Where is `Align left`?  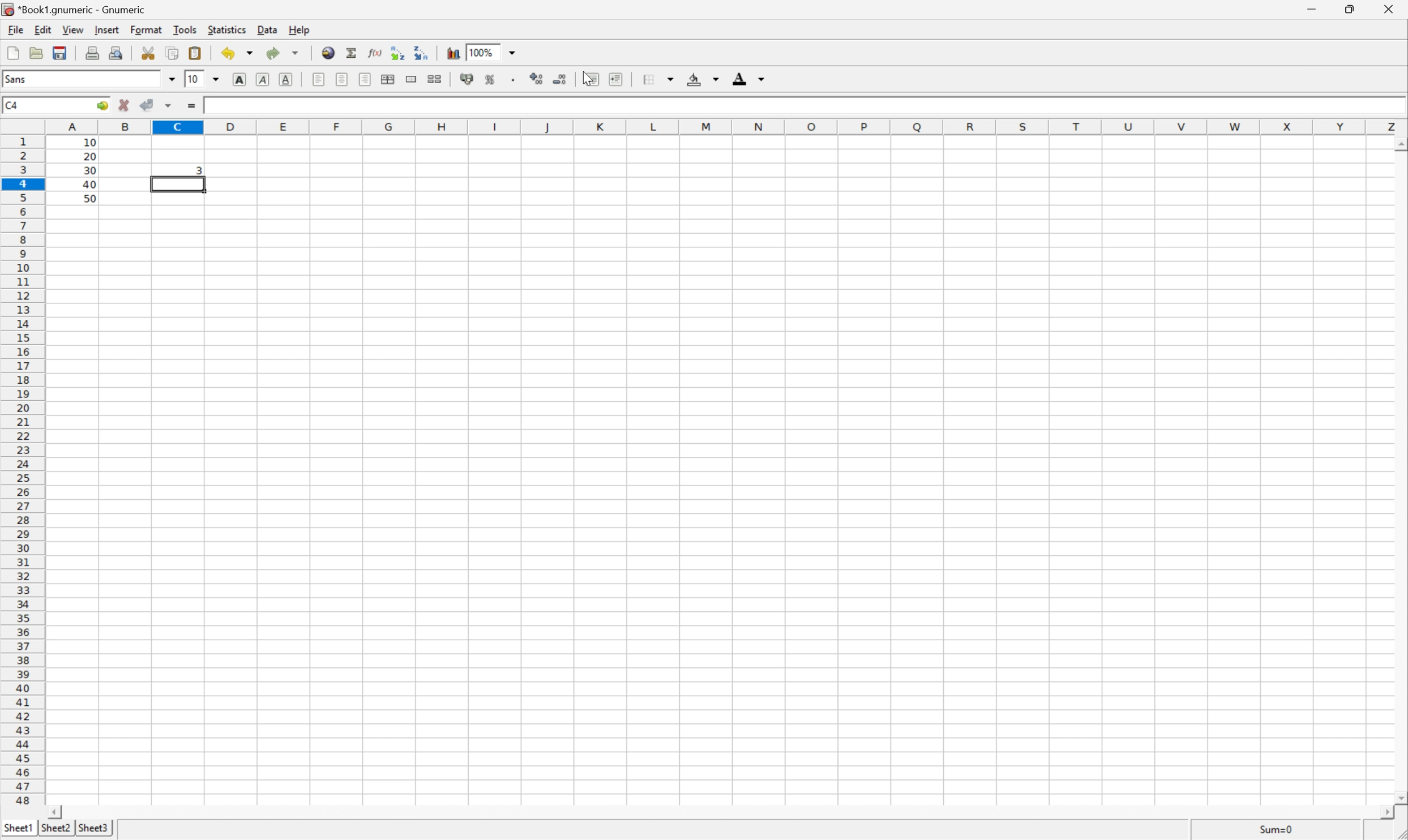
Align left is located at coordinates (318, 78).